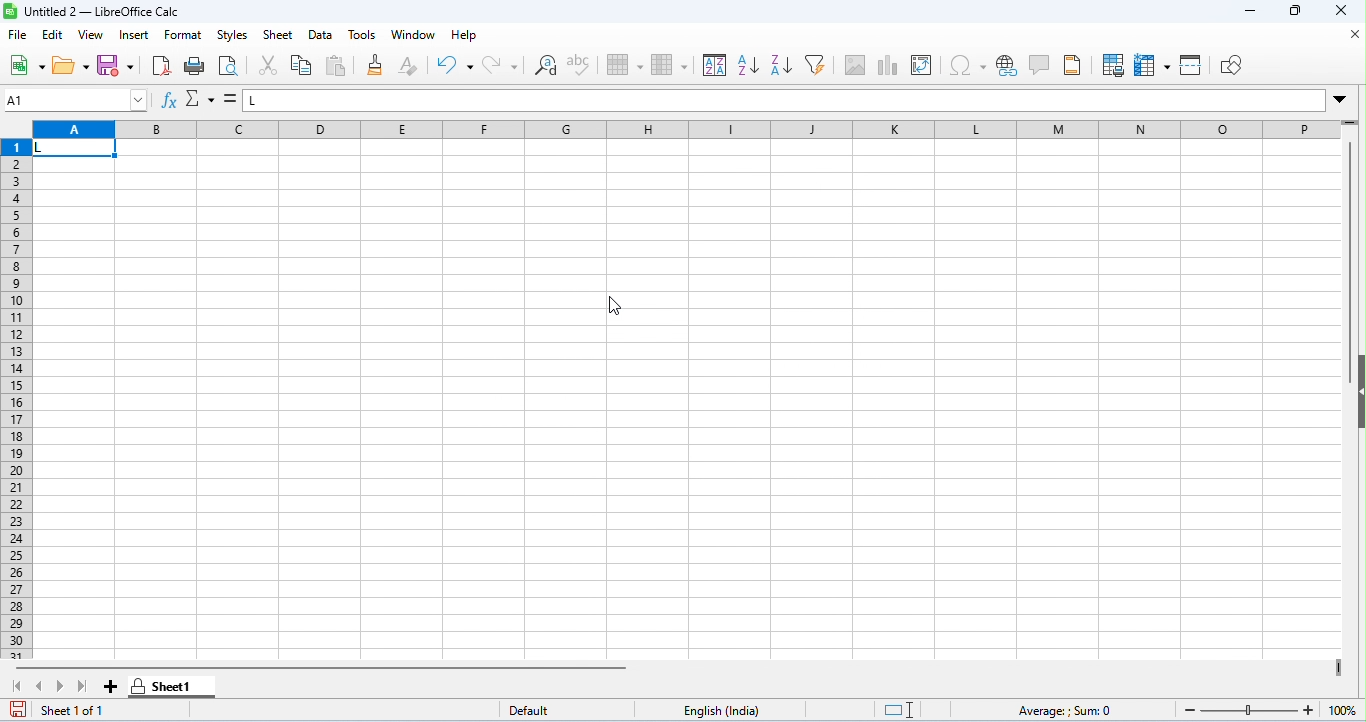 Image resolution: width=1366 pixels, height=722 pixels. What do you see at coordinates (1114, 65) in the screenshot?
I see `define print preview` at bounding box center [1114, 65].